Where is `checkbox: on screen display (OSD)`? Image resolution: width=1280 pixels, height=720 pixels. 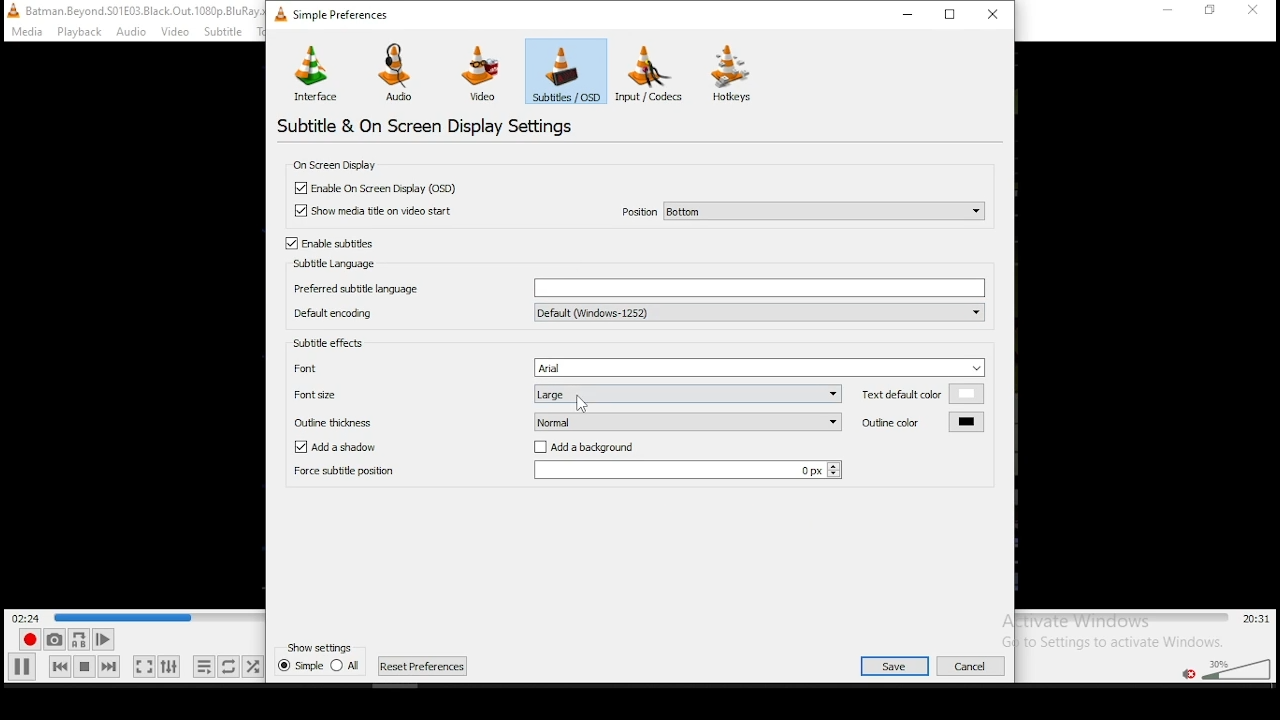 checkbox: on screen display (OSD) is located at coordinates (380, 189).